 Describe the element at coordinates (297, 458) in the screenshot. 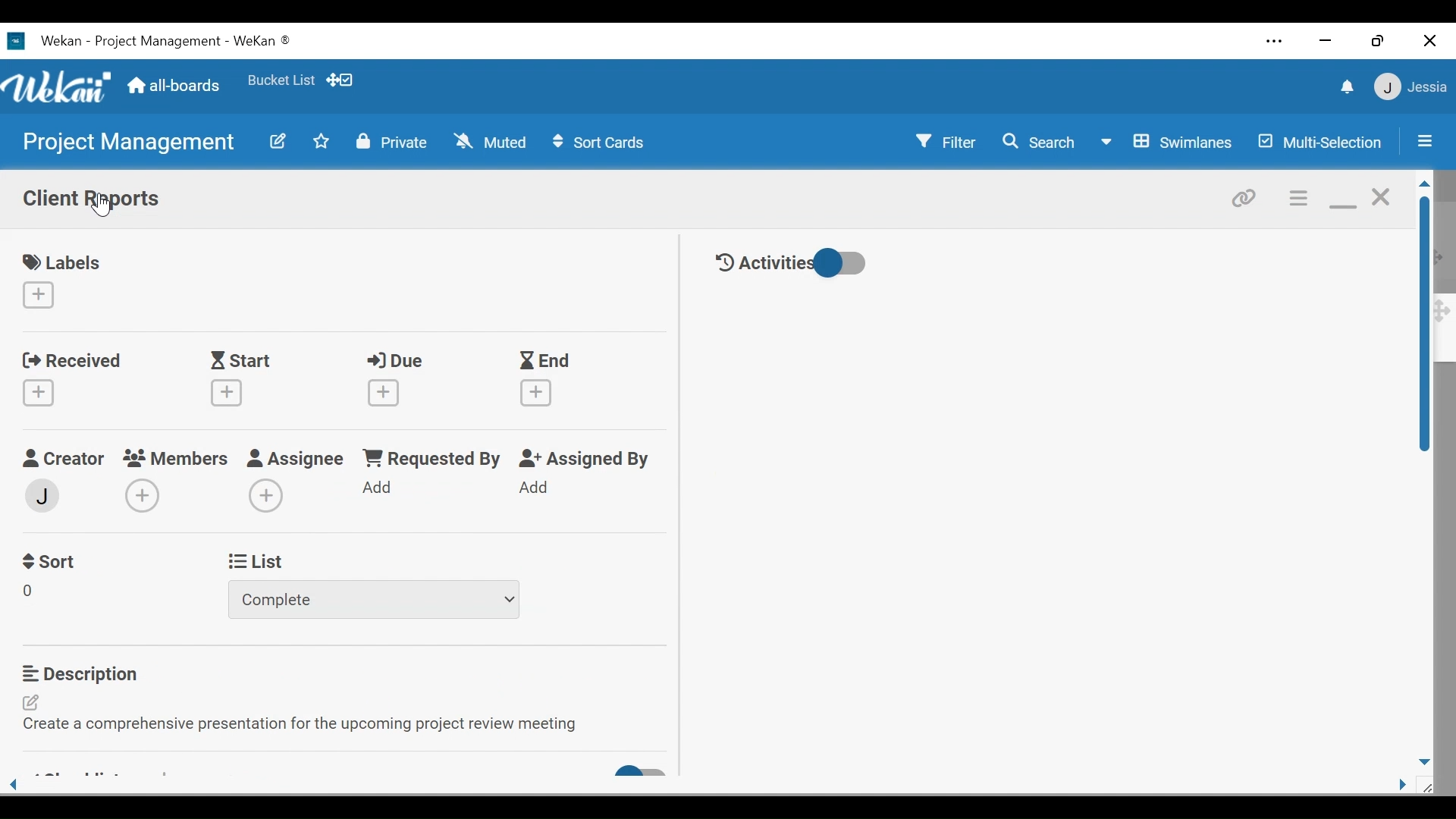

I see `Assignee` at that location.